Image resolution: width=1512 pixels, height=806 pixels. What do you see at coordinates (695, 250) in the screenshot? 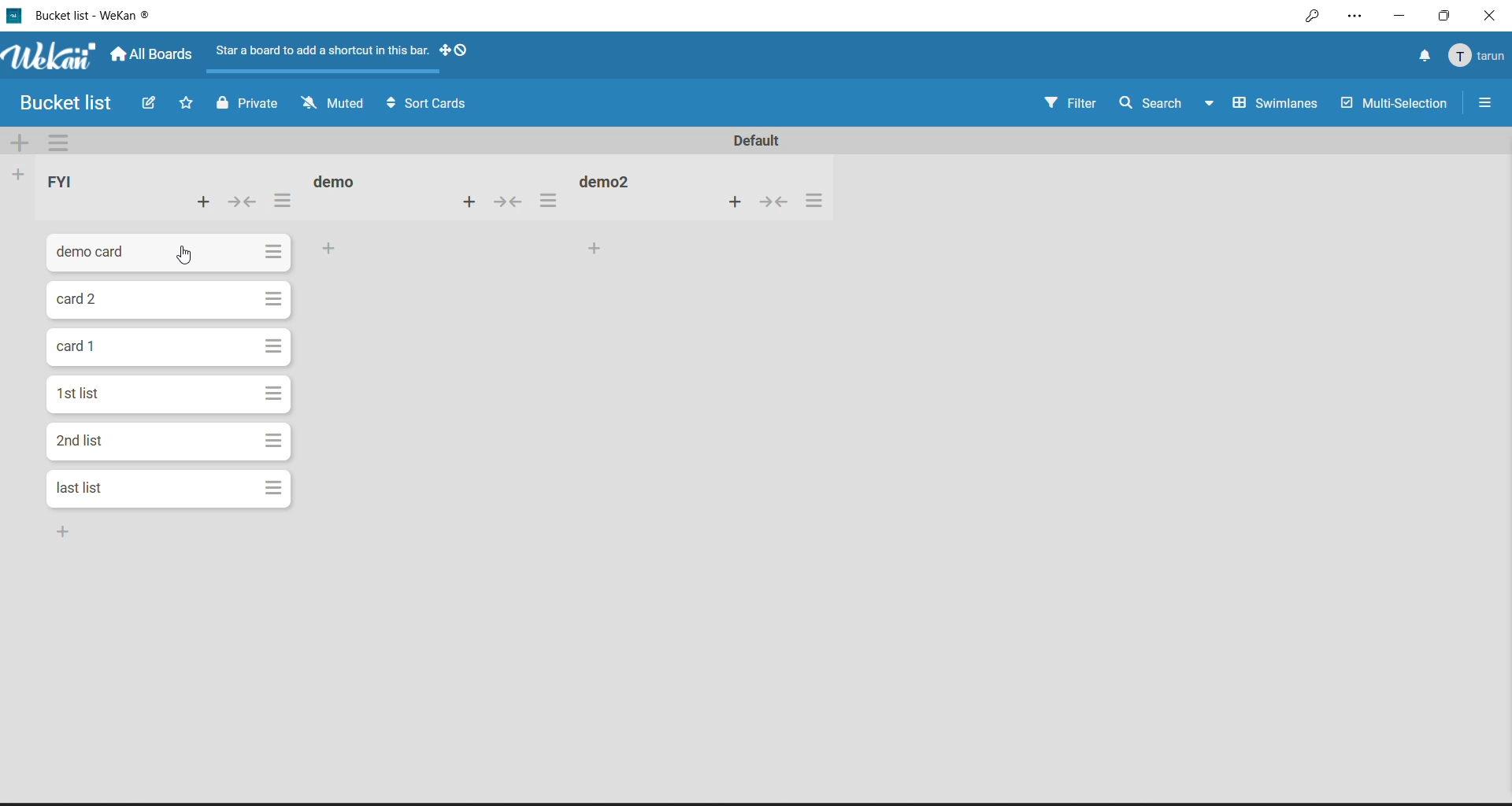
I see `add card to bottom of the list` at bounding box center [695, 250].